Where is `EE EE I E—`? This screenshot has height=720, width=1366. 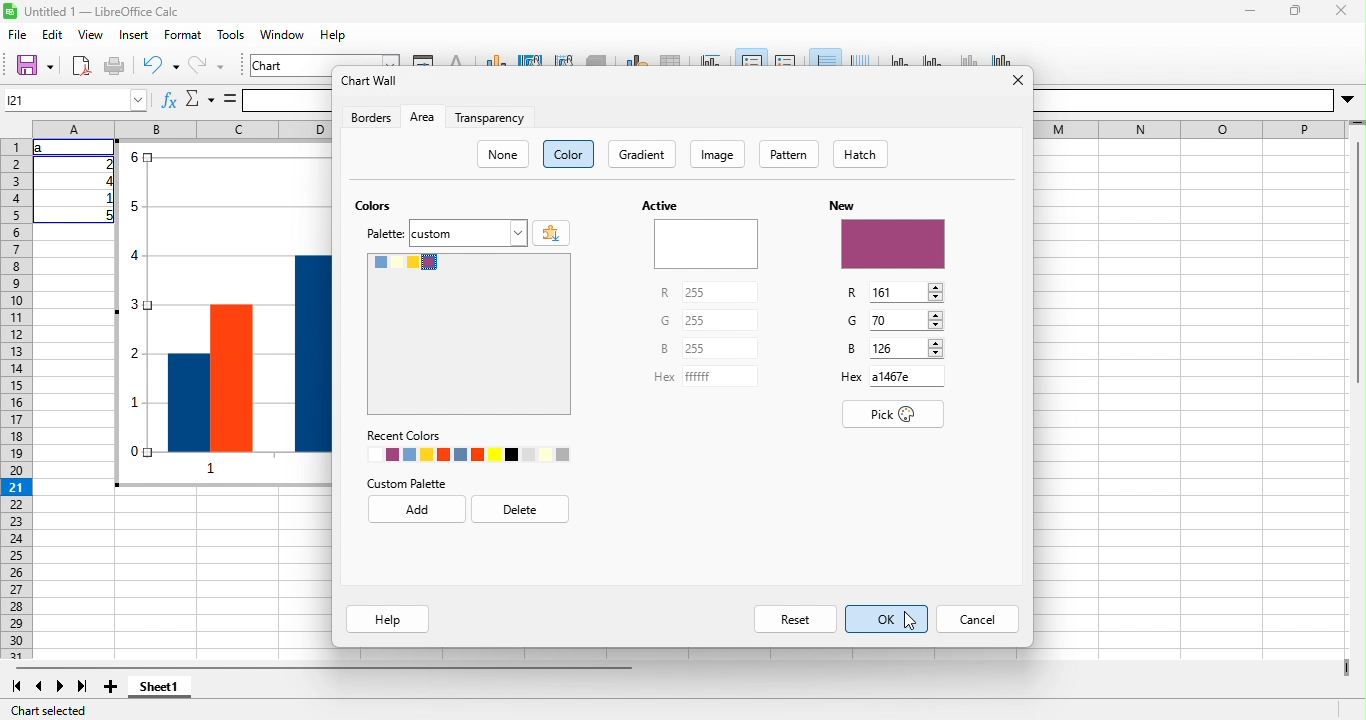
EE EE I E— is located at coordinates (1191, 130).